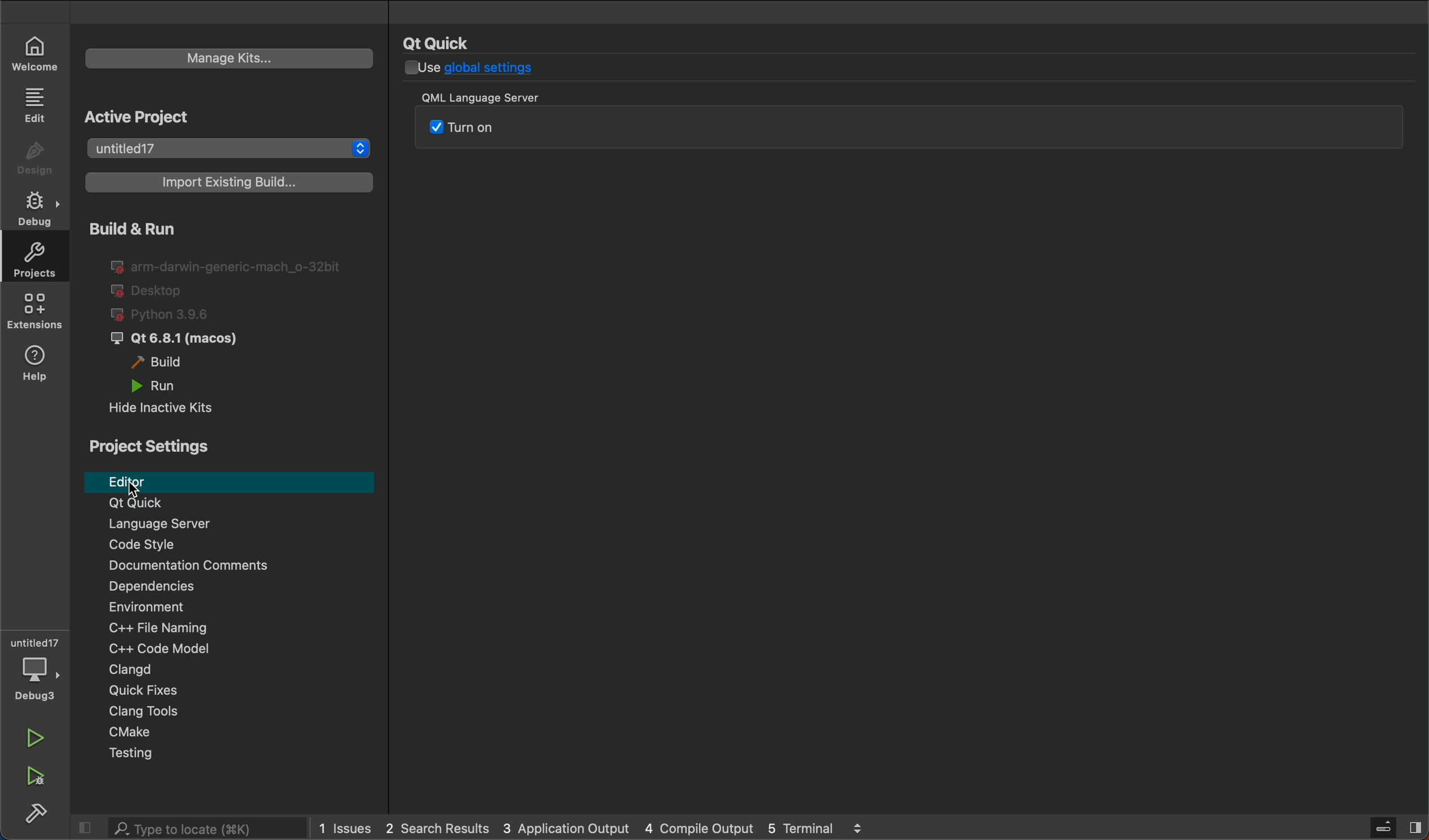 This screenshot has width=1429, height=840. What do you see at coordinates (231, 58) in the screenshot?
I see `manage kits` at bounding box center [231, 58].